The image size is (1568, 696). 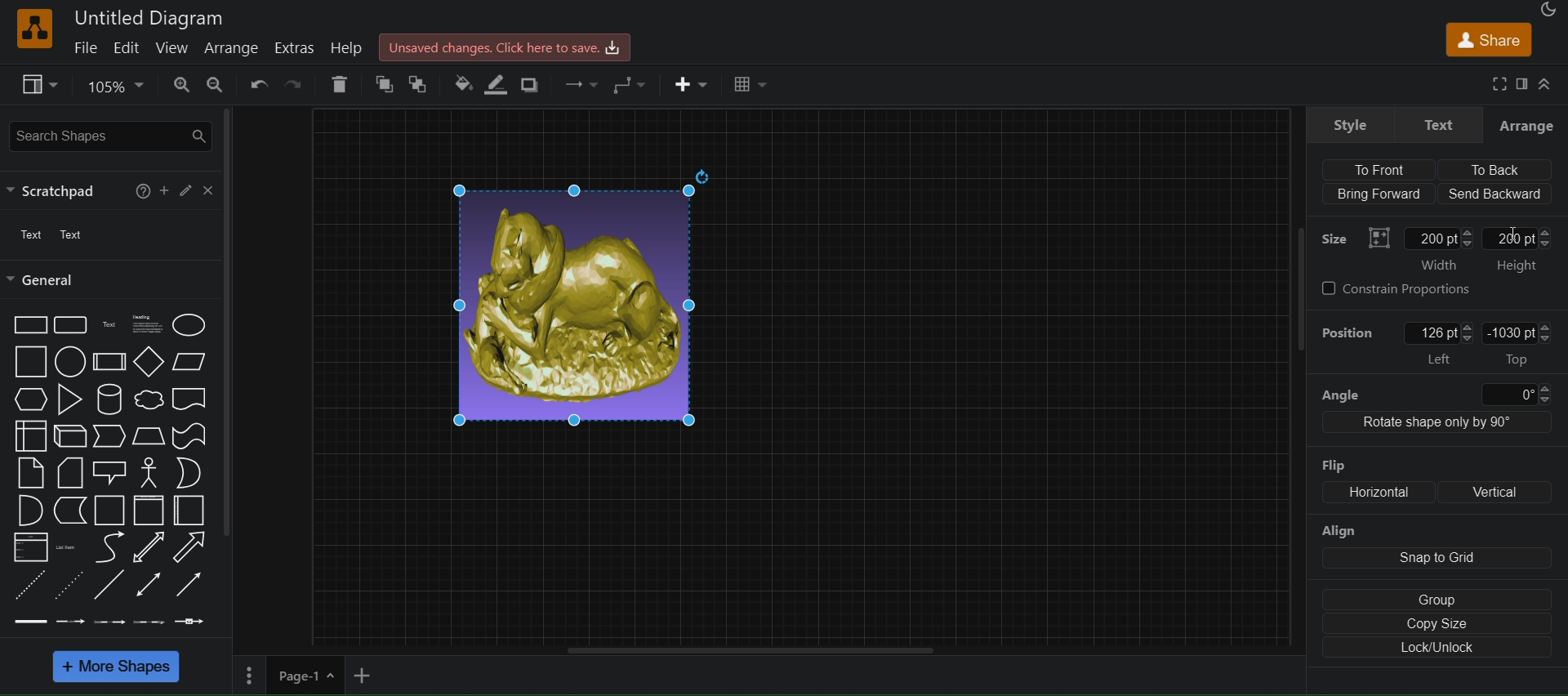 What do you see at coordinates (1397, 246) in the screenshot?
I see `Size: width: 200 pt(entered)` at bounding box center [1397, 246].